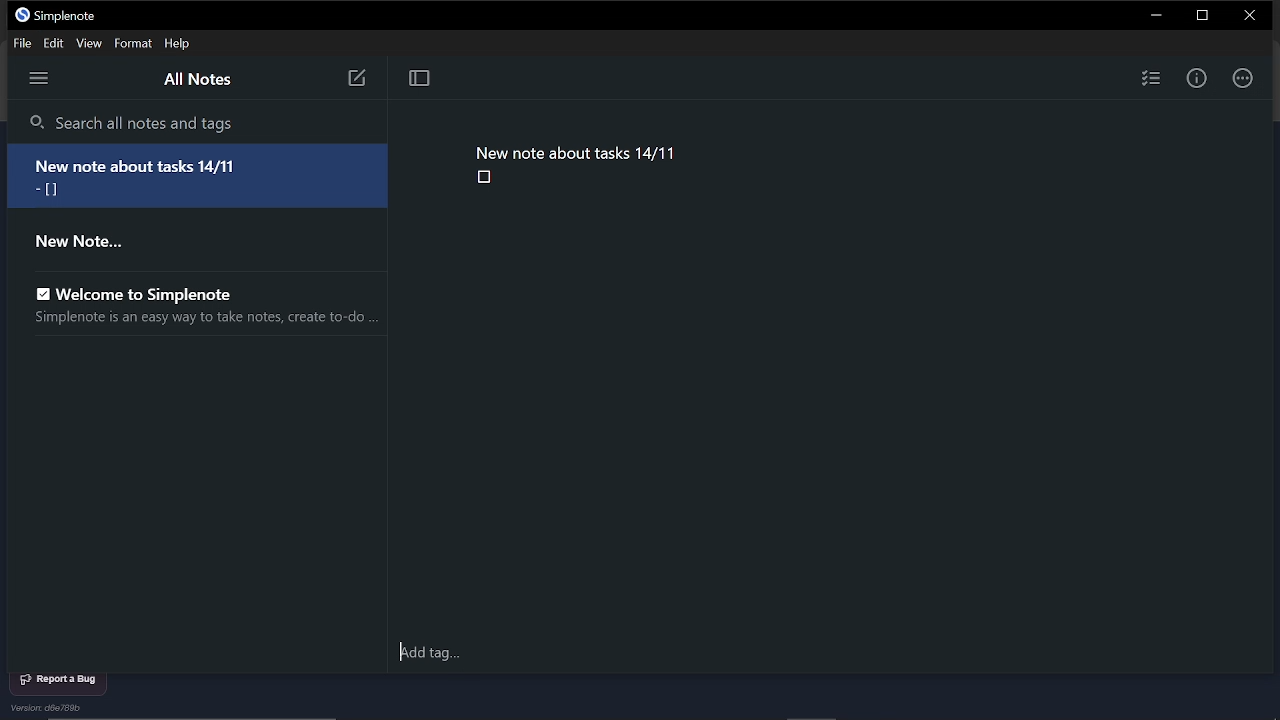 This screenshot has height=720, width=1280. Describe the element at coordinates (1198, 77) in the screenshot. I see `Info` at that location.